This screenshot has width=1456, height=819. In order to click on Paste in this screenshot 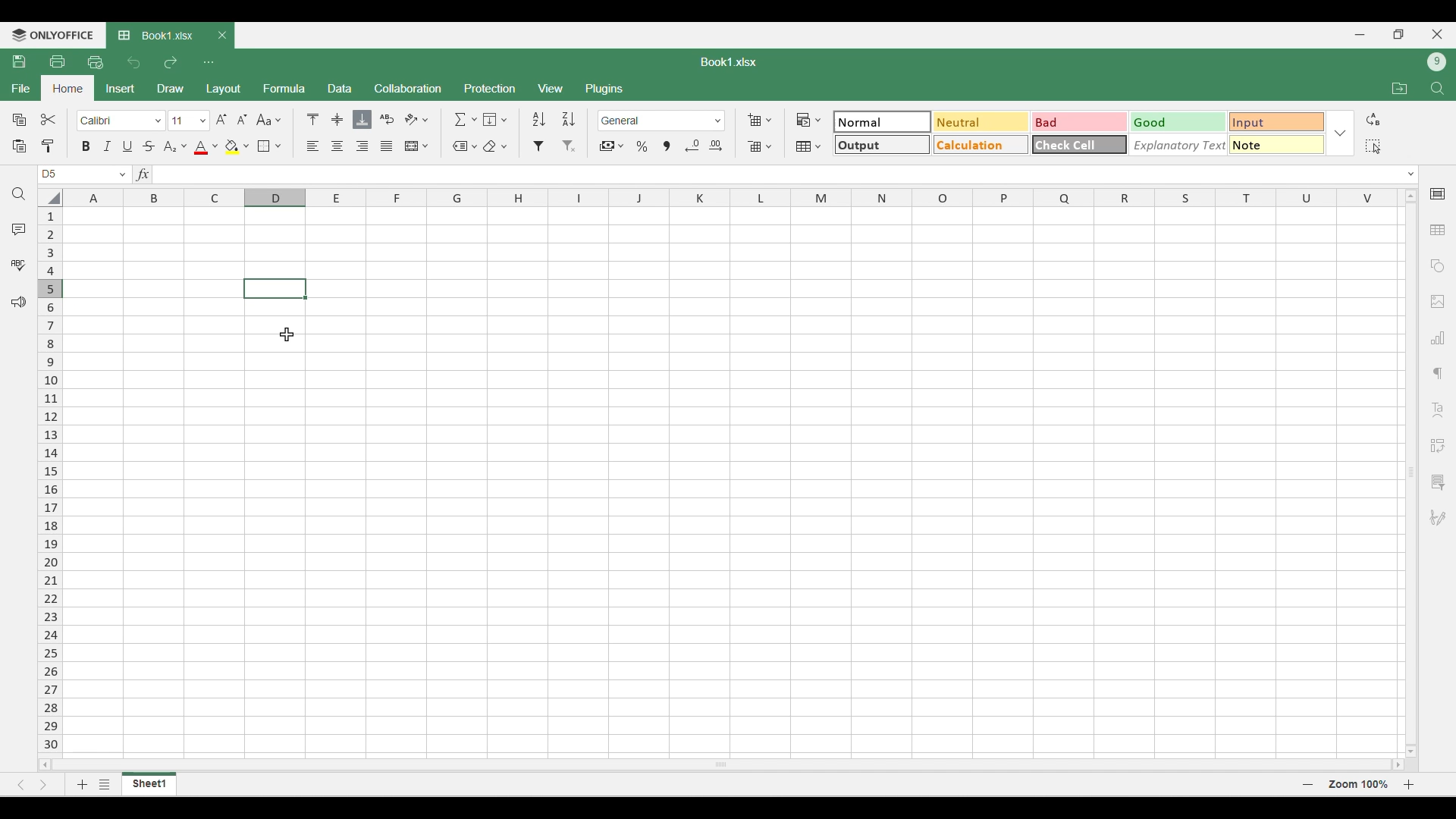, I will do `click(18, 146)`.